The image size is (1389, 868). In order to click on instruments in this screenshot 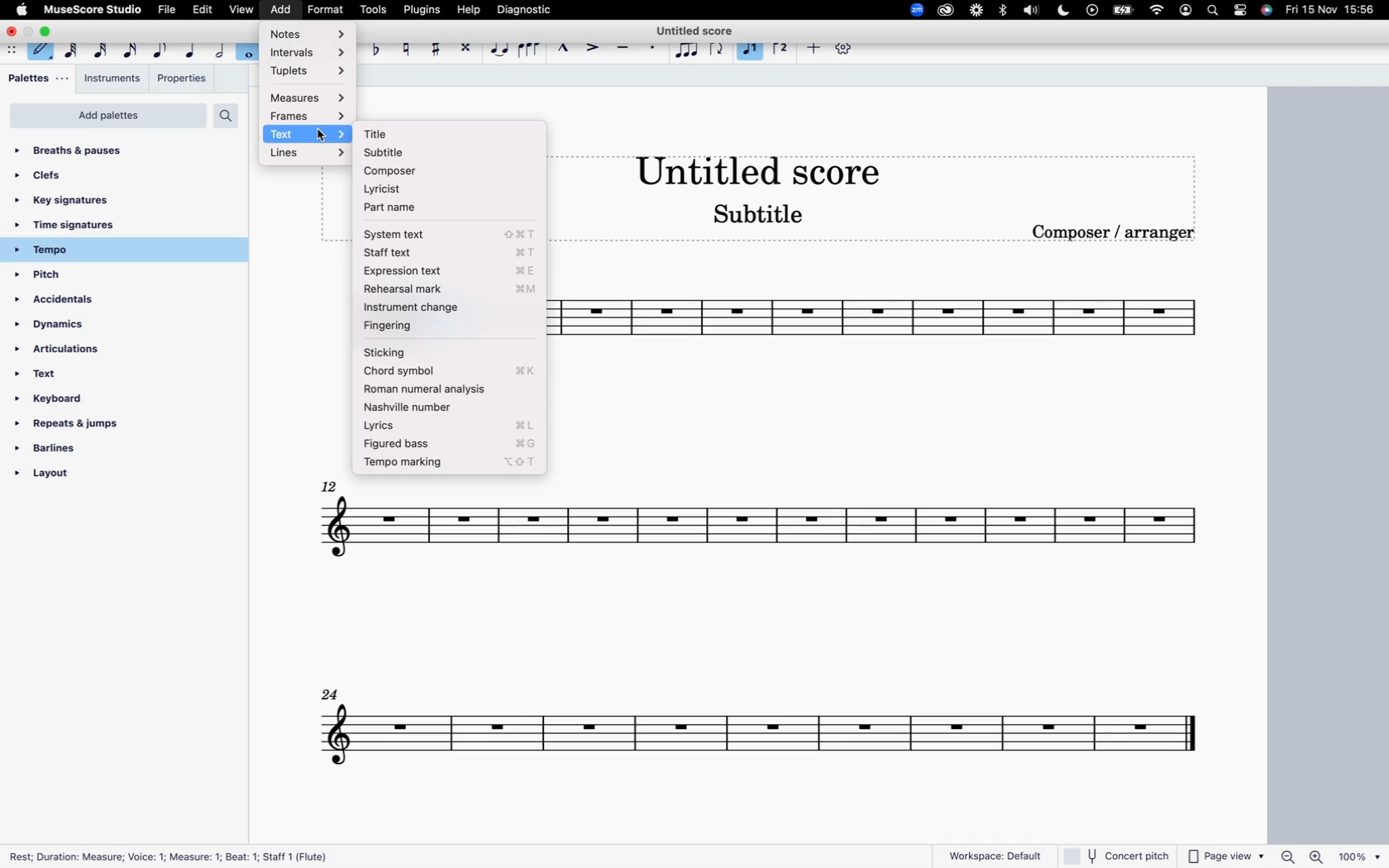, I will do `click(113, 80)`.